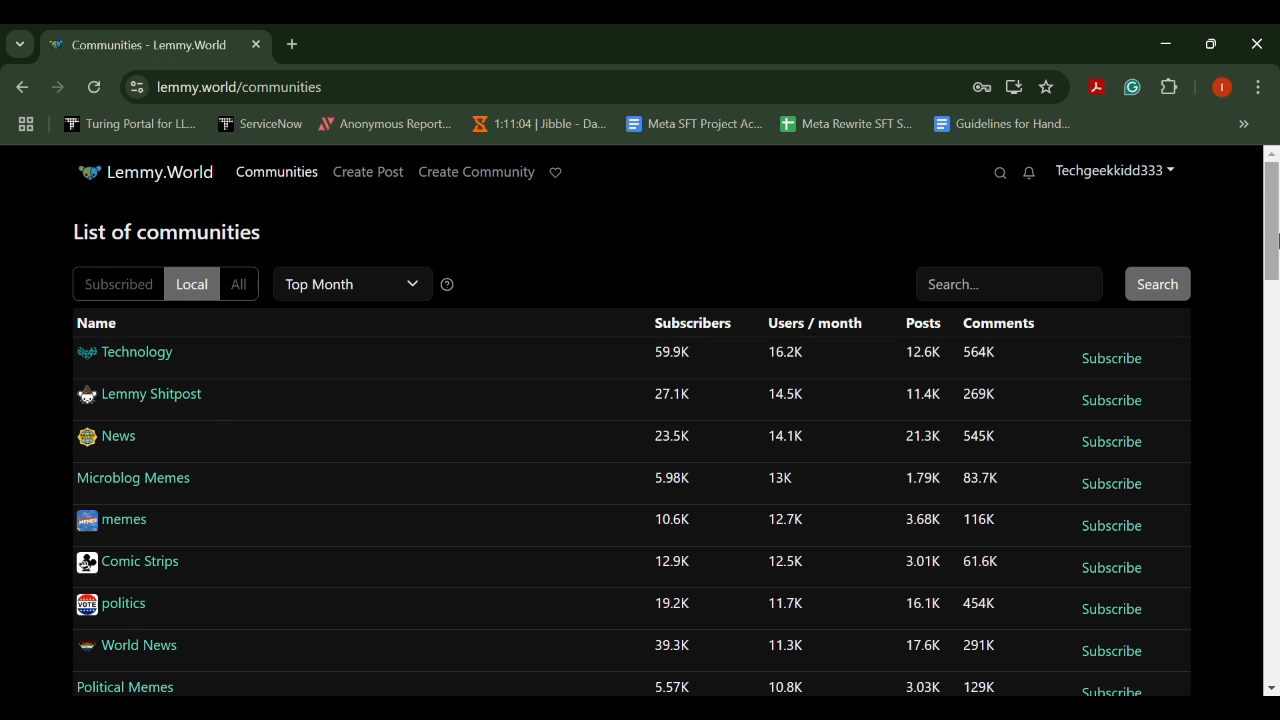 This screenshot has height=720, width=1280. I want to click on 21.3K, so click(922, 438).